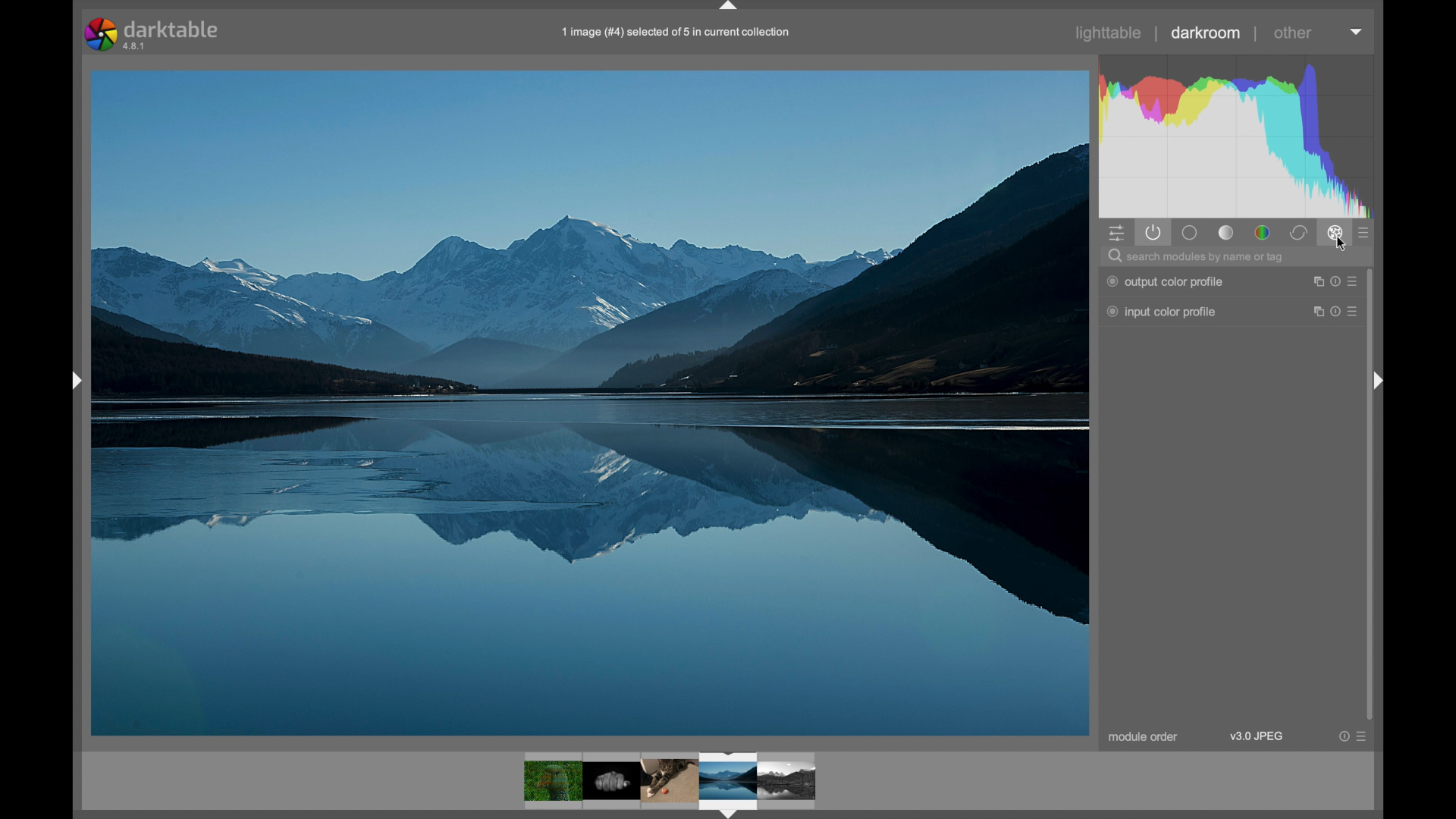 This screenshot has width=1456, height=819. Describe the element at coordinates (1207, 33) in the screenshot. I see `darkroom` at that location.